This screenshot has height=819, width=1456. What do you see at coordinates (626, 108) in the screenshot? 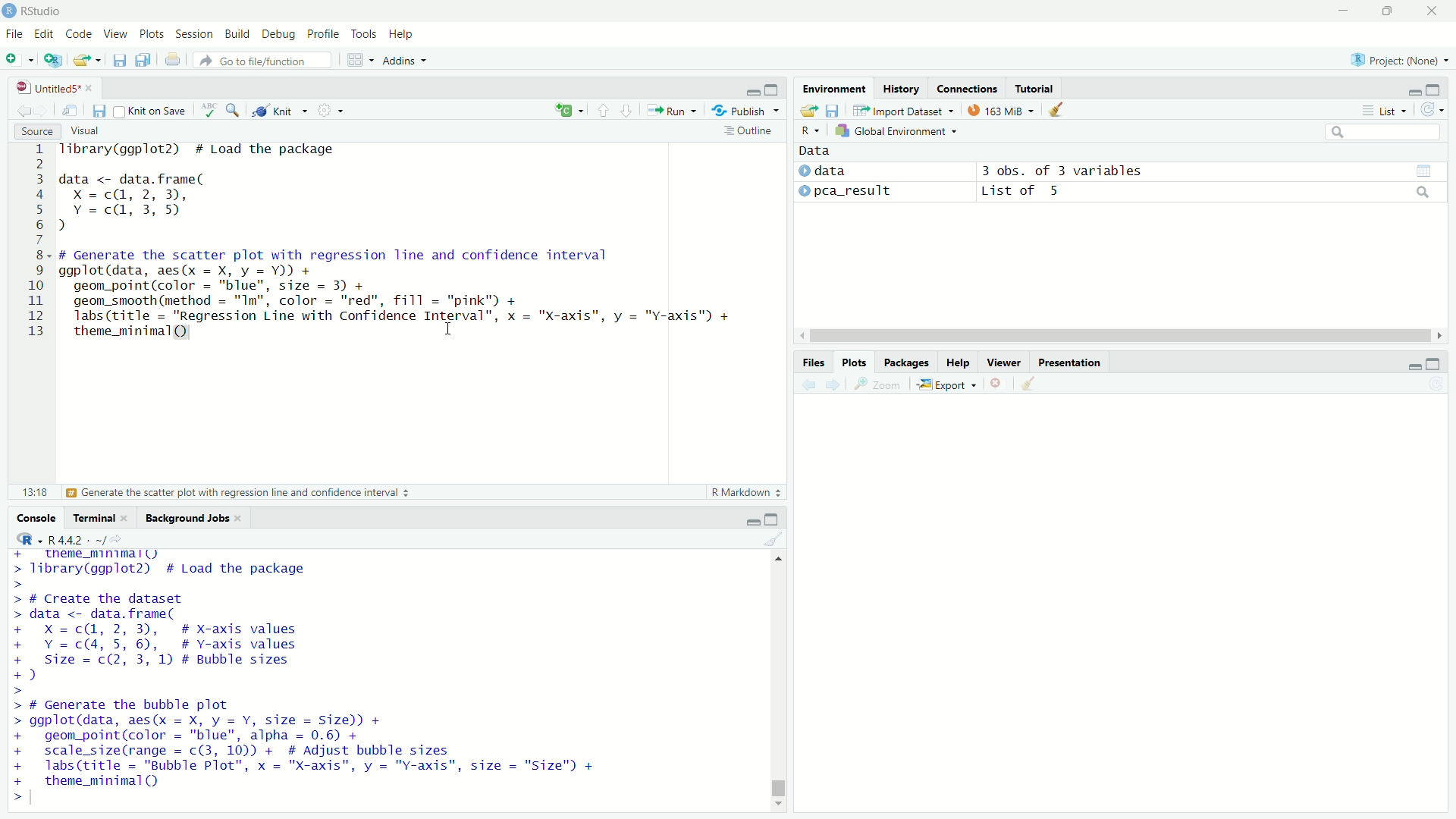
I see `Go to next section/chunk` at bounding box center [626, 108].